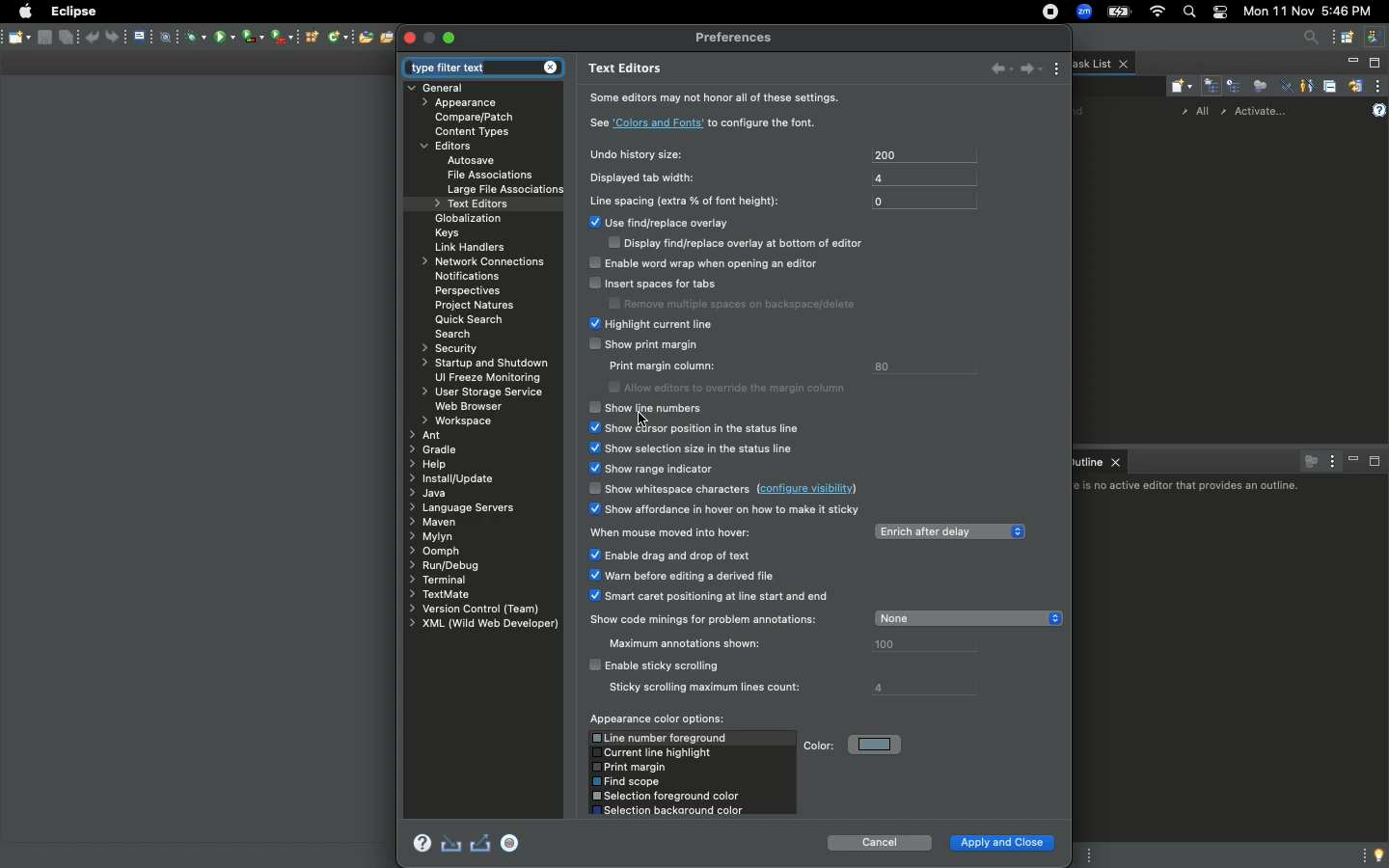 Image resolution: width=1389 pixels, height=868 pixels. Describe the element at coordinates (145, 37) in the screenshot. I see `File` at that location.